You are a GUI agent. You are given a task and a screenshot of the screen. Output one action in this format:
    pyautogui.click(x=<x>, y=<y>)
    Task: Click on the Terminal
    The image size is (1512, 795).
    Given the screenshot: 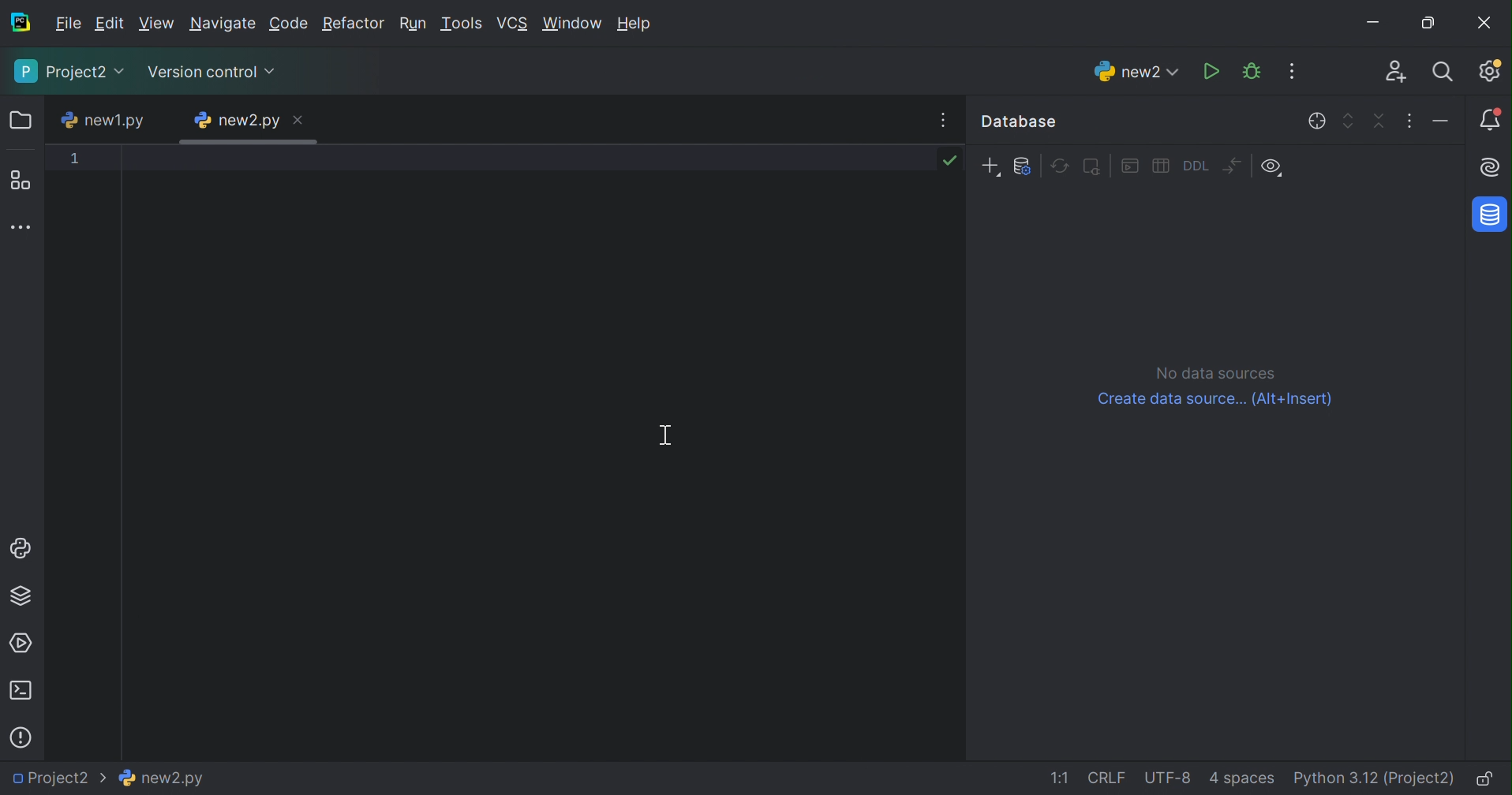 What is the action you would take?
    pyautogui.click(x=21, y=692)
    